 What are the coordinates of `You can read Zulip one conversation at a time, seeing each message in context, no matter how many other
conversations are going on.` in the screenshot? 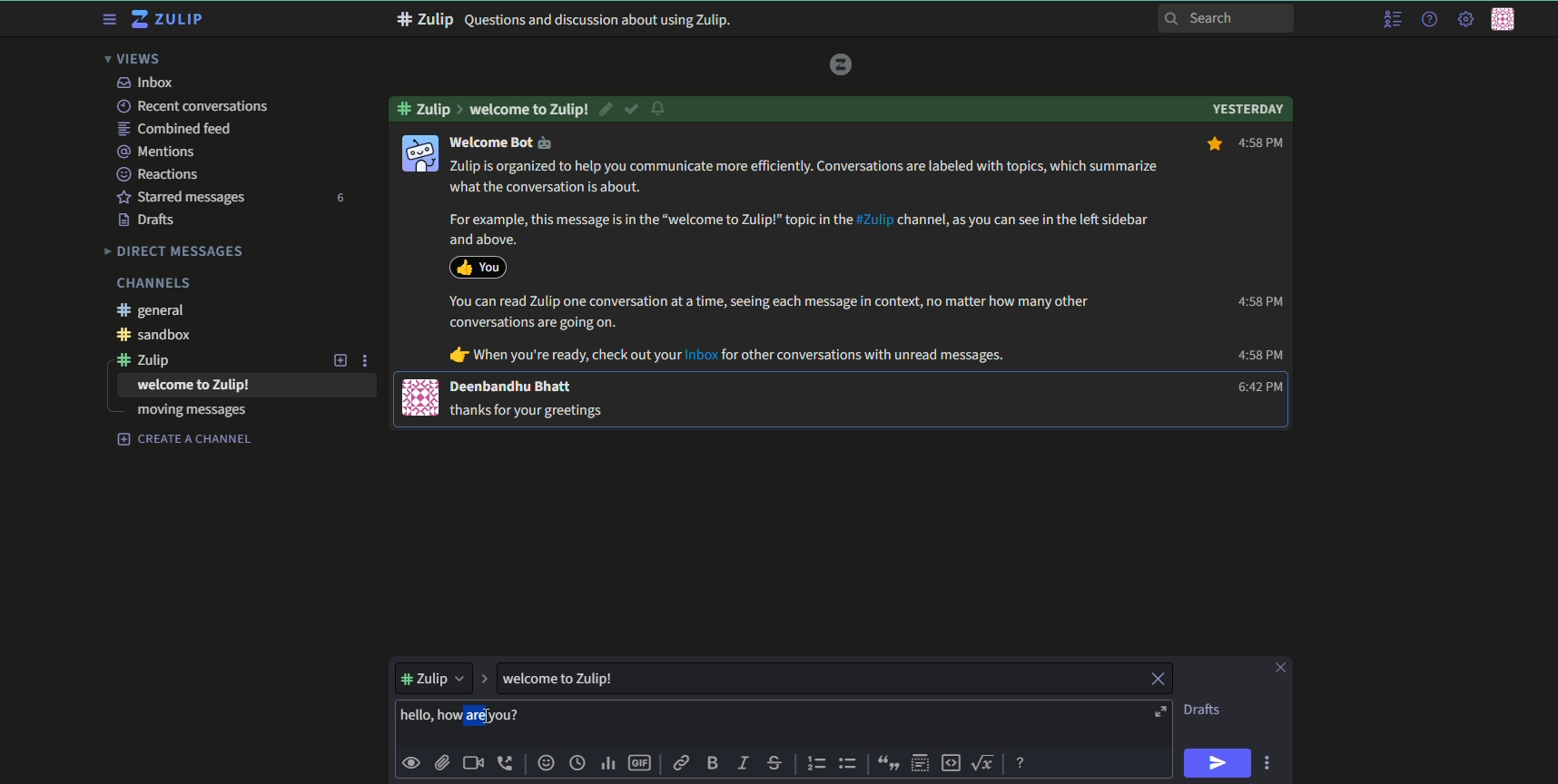 It's located at (770, 312).